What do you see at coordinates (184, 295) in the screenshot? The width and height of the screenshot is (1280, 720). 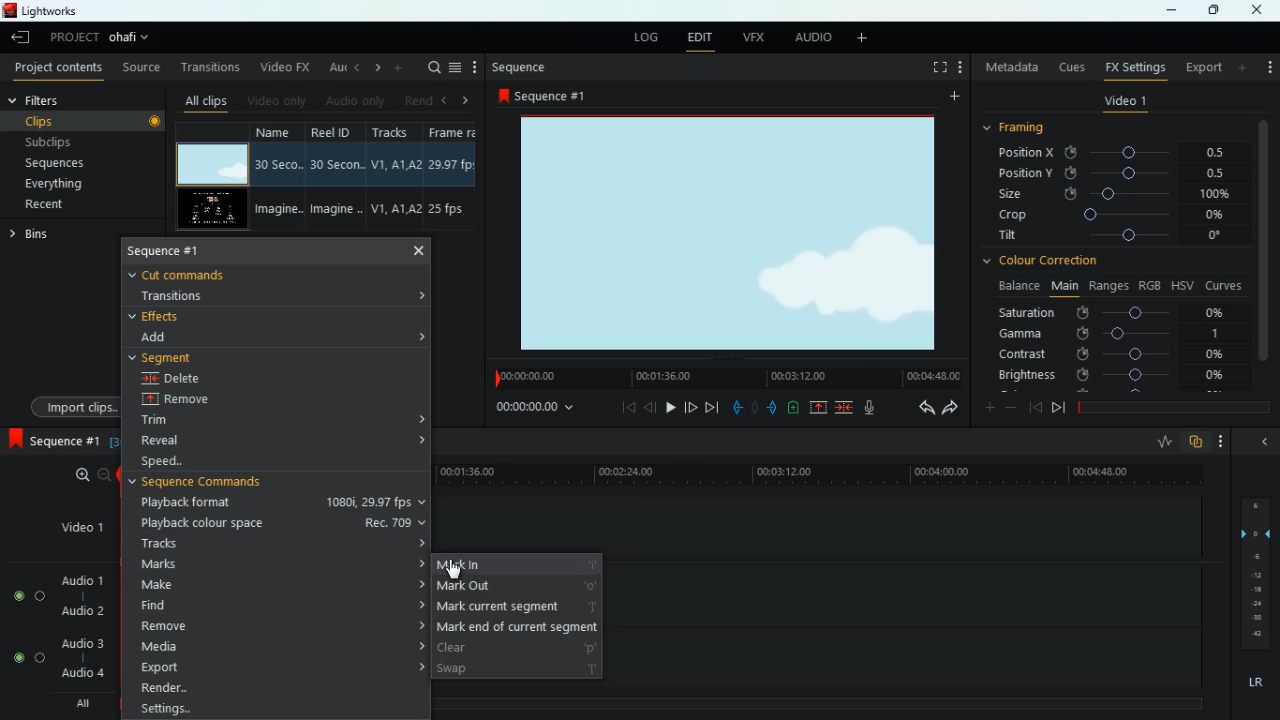 I see `transitions` at bounding box center [184, 295].